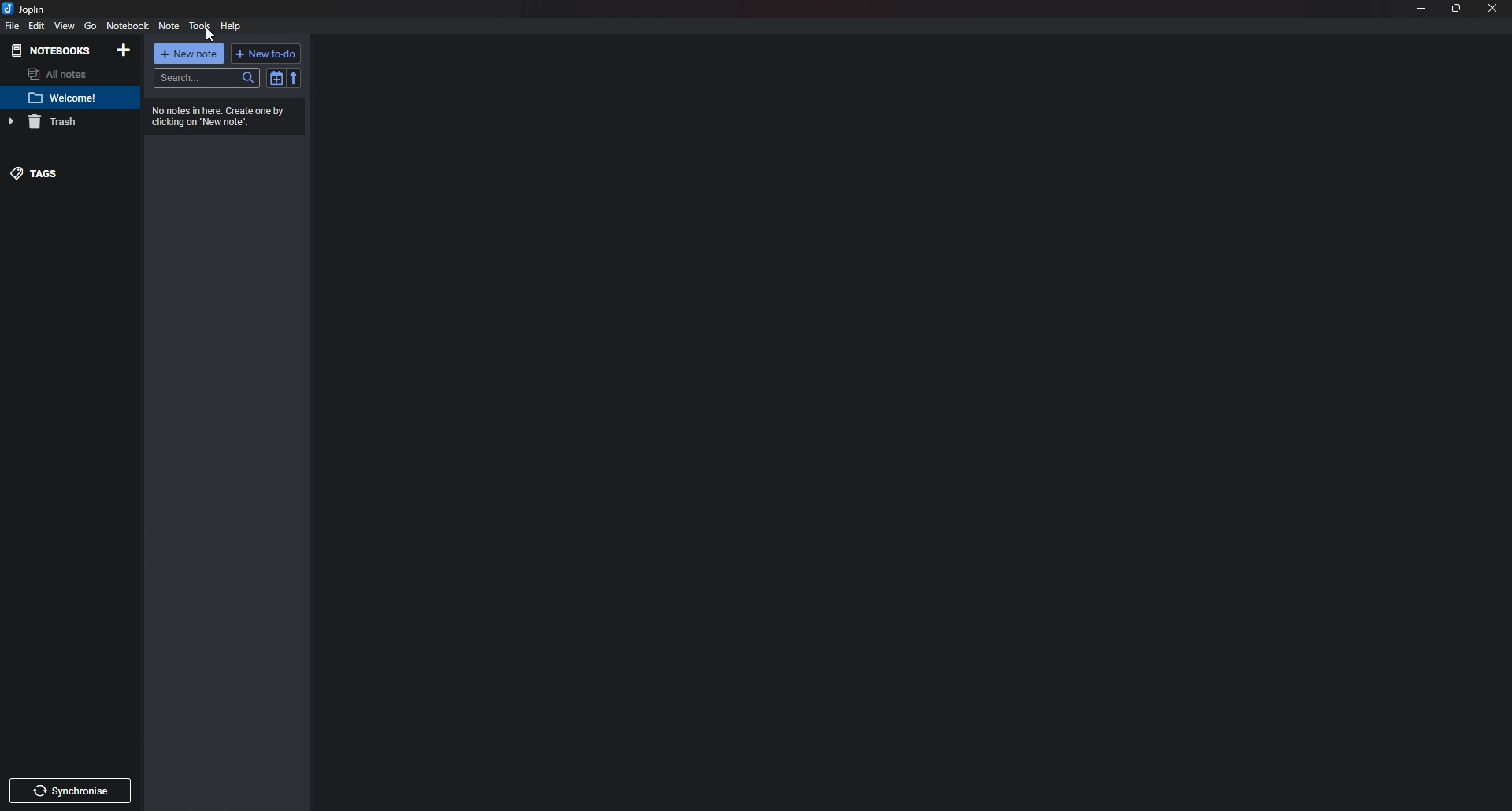 This screenshot has height=811, width=1512. Describe the element at coordinates (267, 54) in the screenshot. I see `New to do` at that location.